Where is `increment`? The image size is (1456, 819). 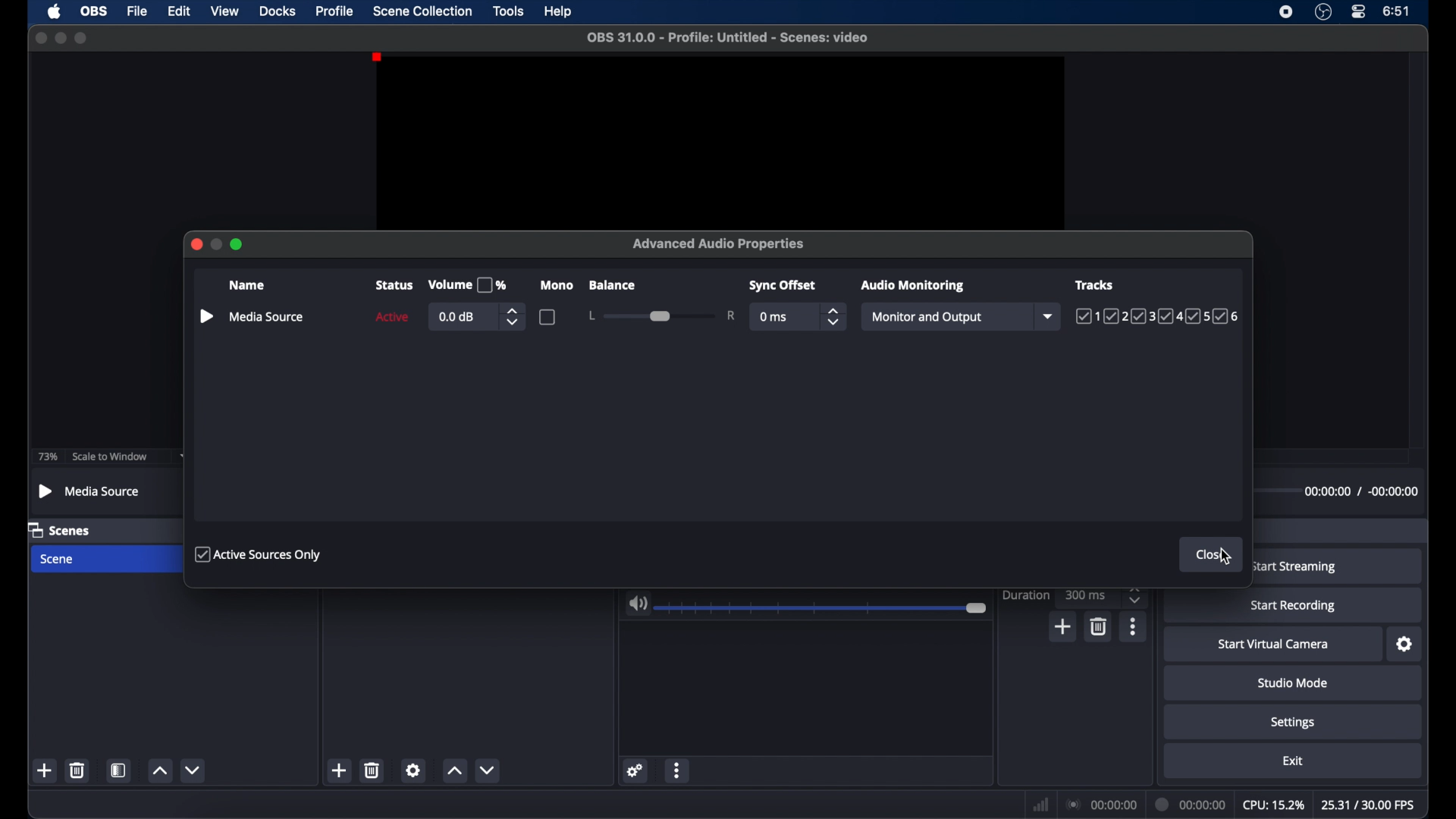 increment is located at coordinates (159, 770).